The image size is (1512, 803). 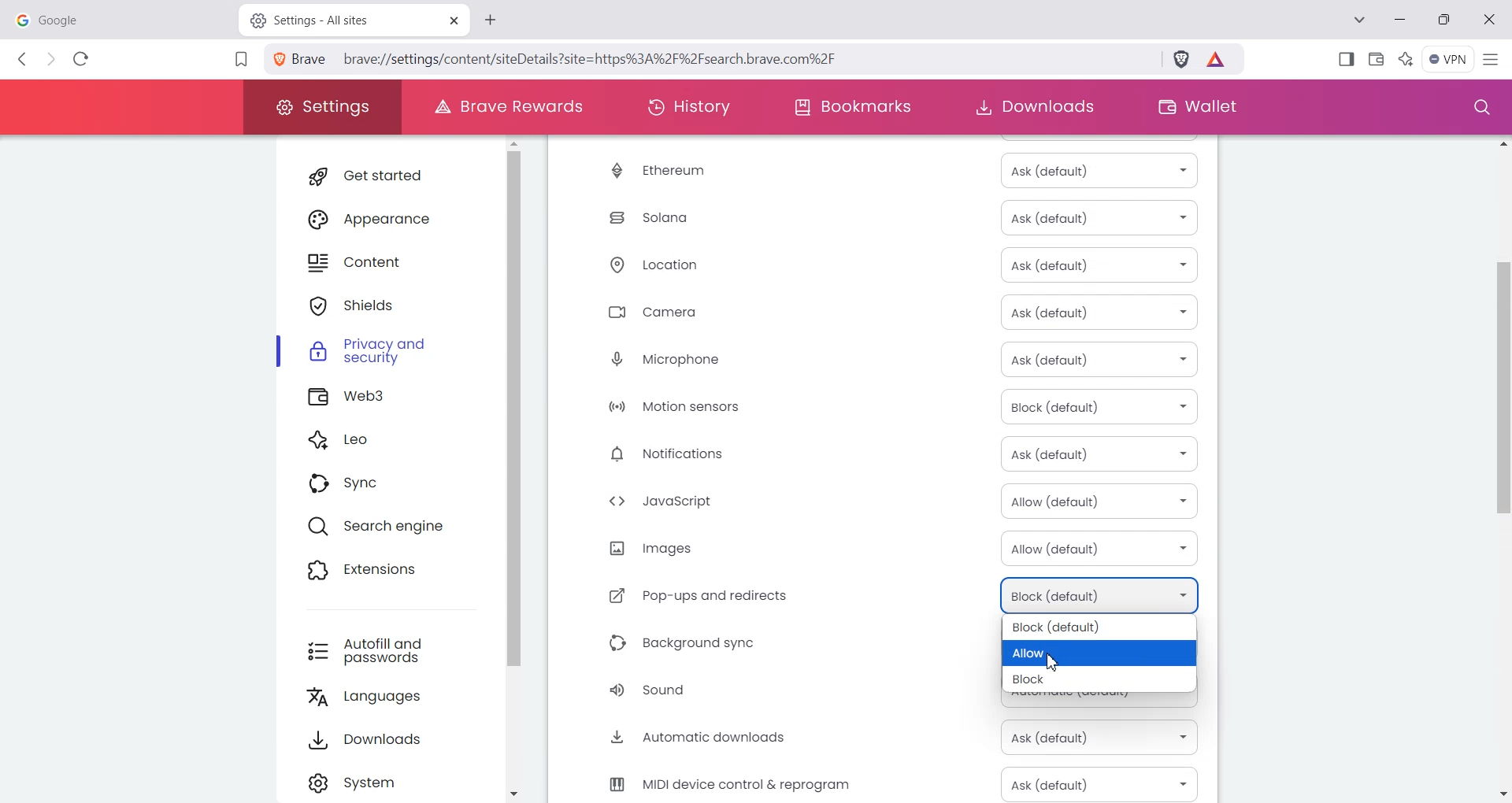 I want to click on Sync, so click(x=387, y=485).